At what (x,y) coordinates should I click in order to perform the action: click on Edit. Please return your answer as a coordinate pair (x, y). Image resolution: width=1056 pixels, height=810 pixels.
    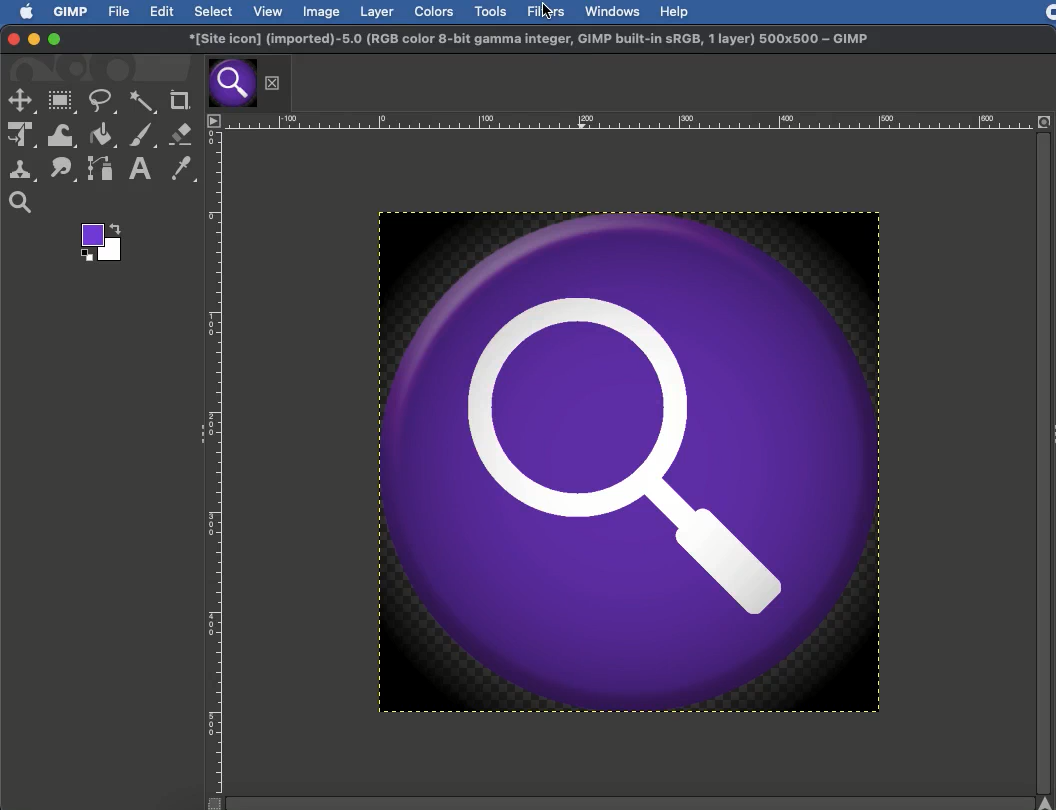
    Looking at the image, I should click on (163, 12).